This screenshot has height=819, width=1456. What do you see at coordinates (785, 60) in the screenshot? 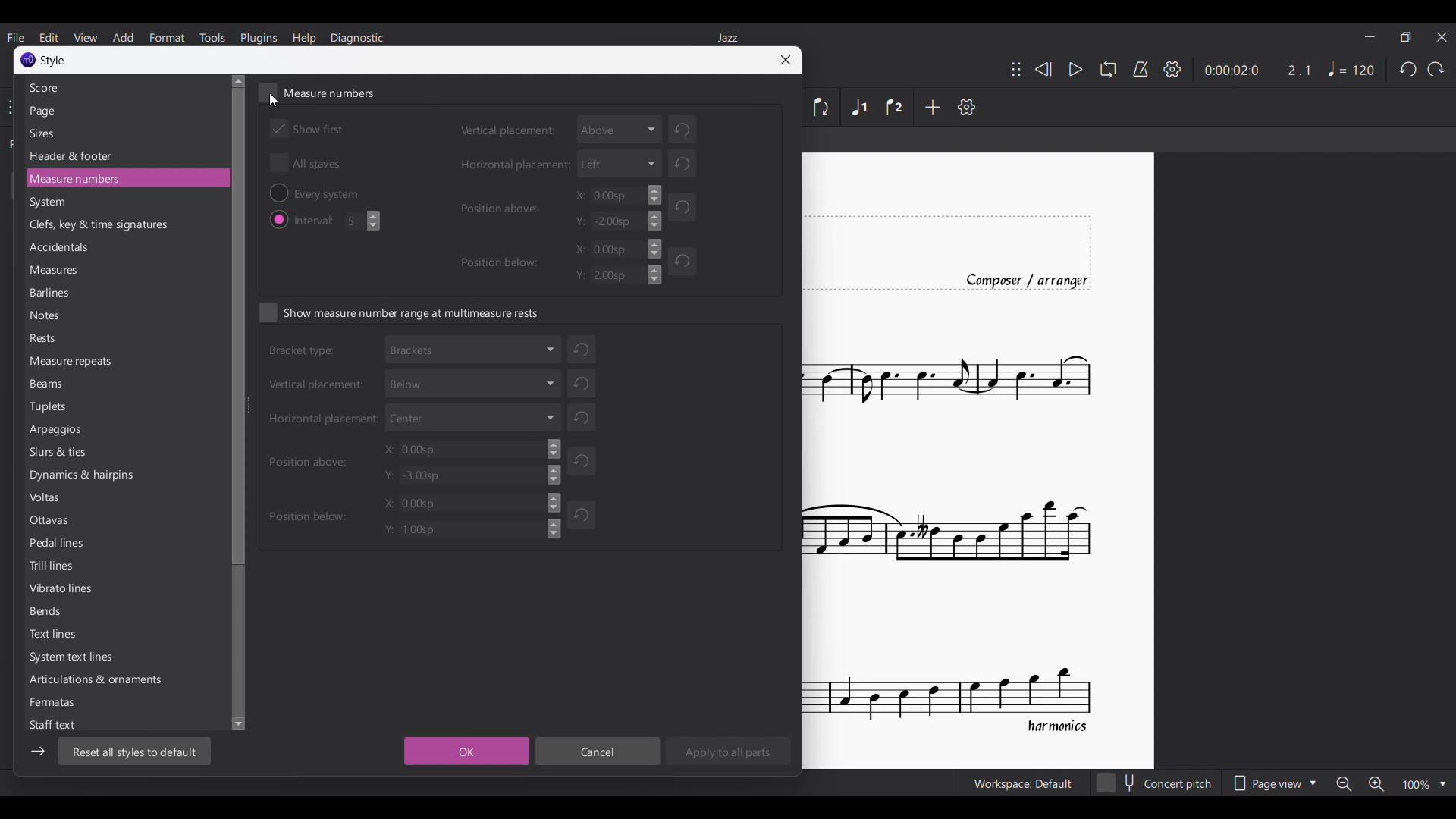
I see `Close window` at bounding box center [785, 60].